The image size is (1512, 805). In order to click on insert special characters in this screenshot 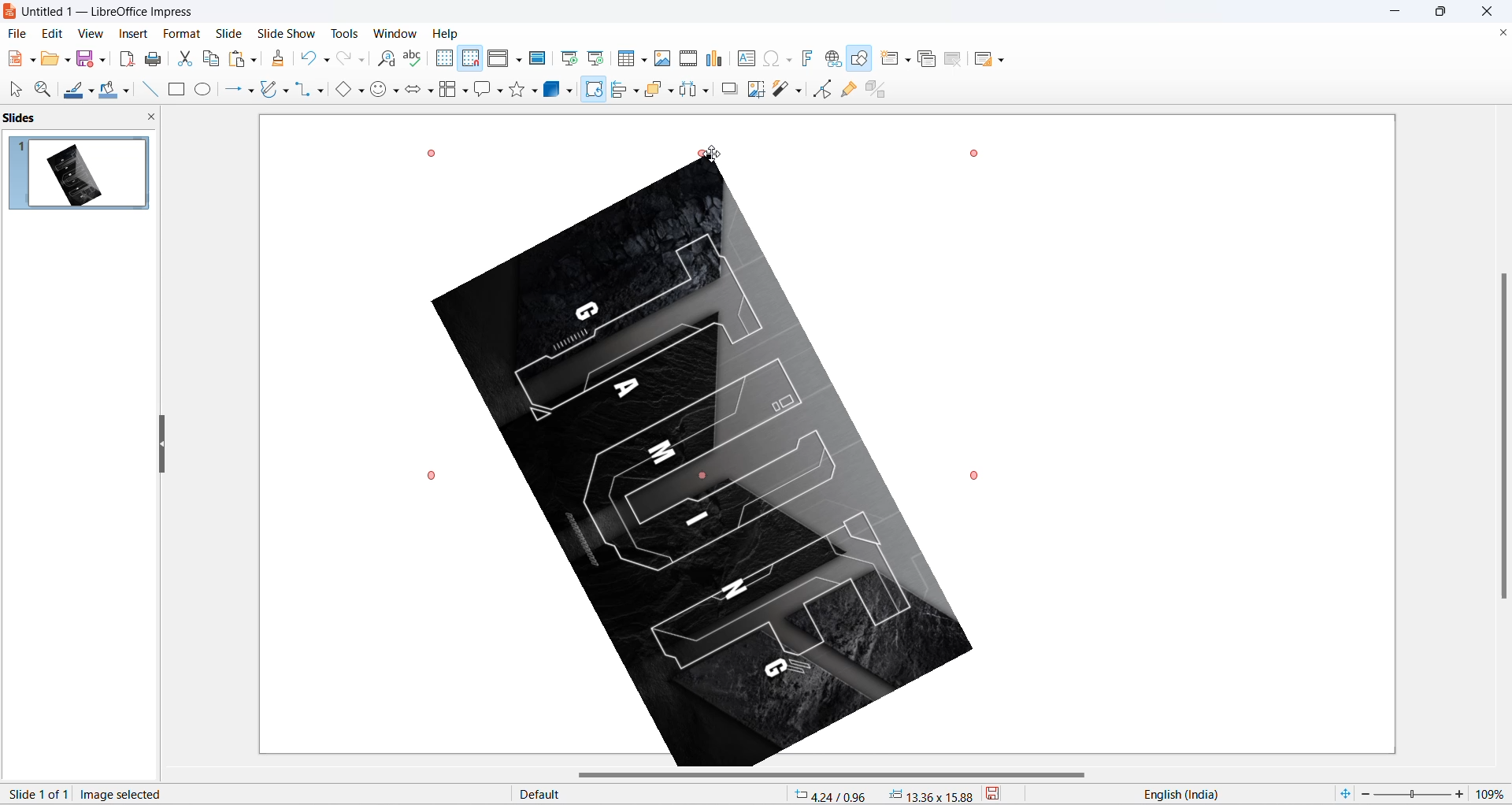, I will do `click(769, 57)`.